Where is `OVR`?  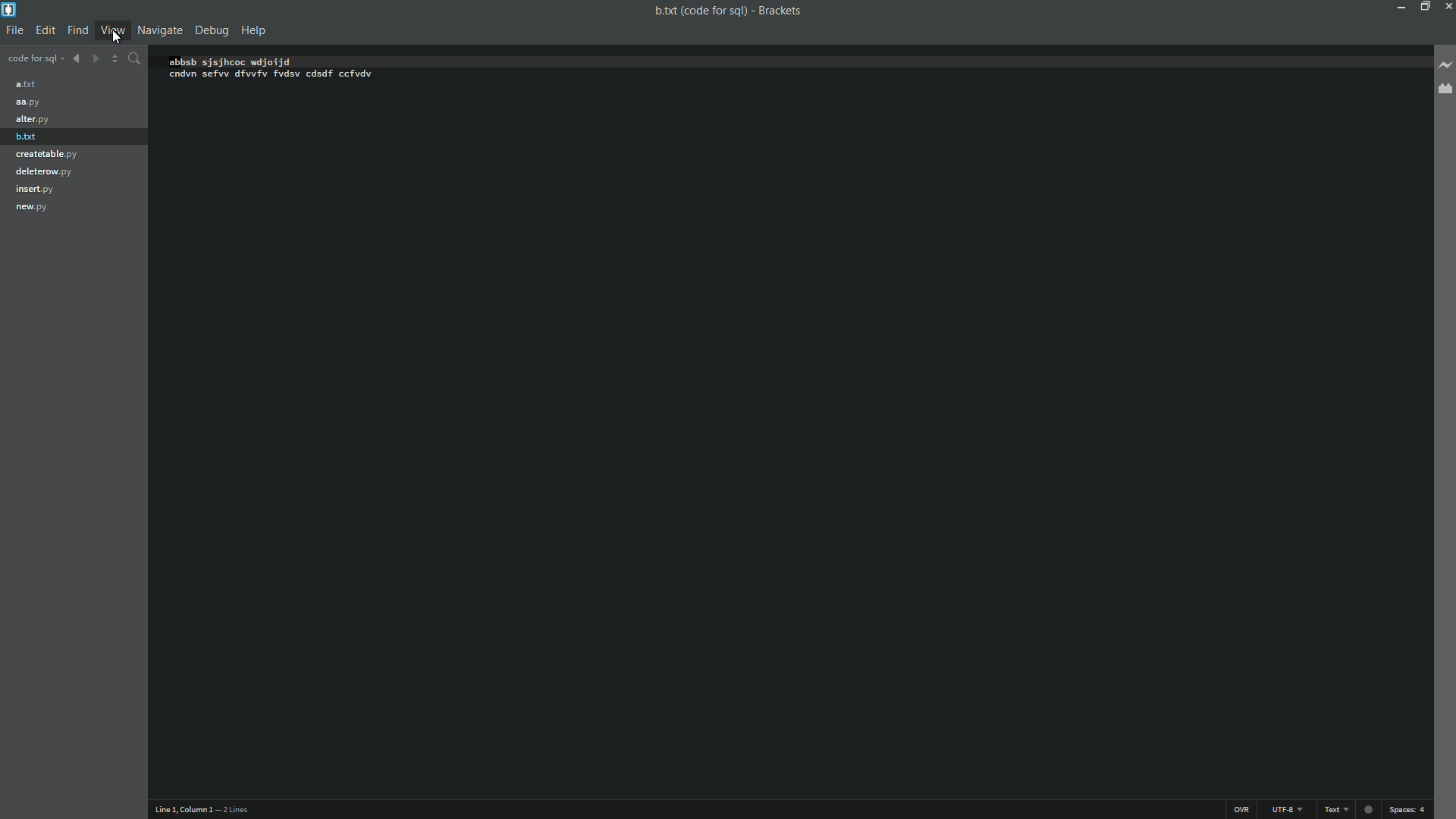
OVR is located at coordinates (1241, 808).